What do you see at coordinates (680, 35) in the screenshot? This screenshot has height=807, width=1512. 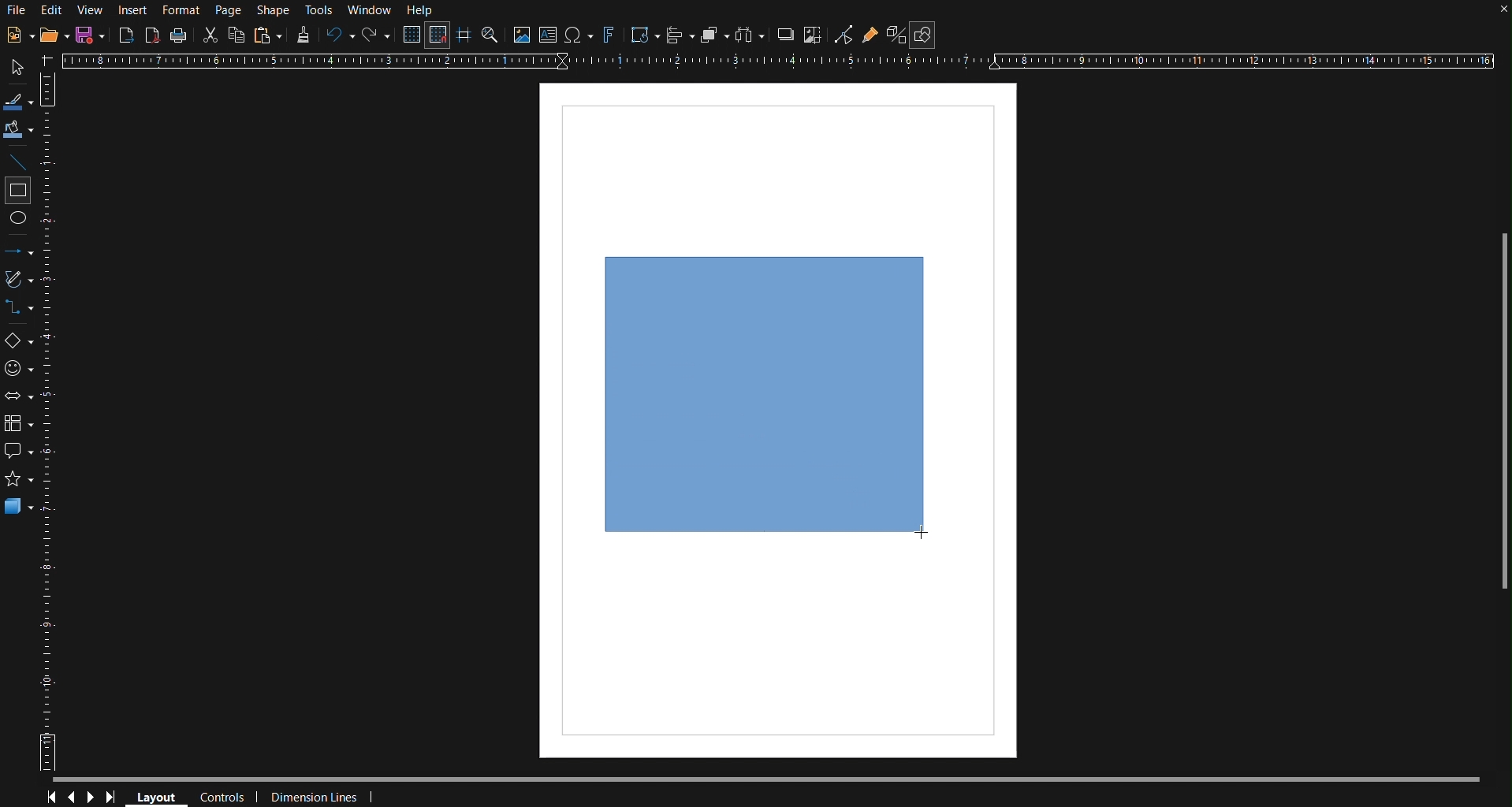 I see `Align Objects` at bounding box center [680, 35].